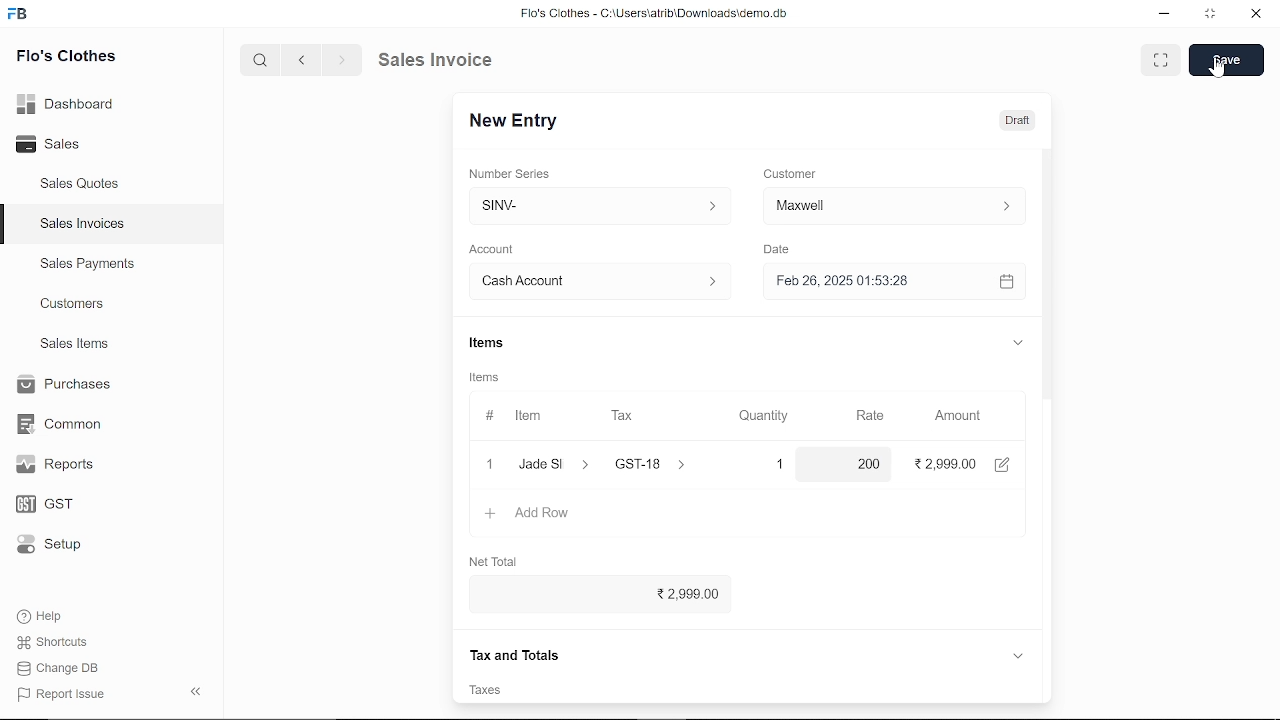 This screenshot has height=720, width=1280. Describe the element at coordinates (63, 643) in the screenshot. I see `Shortcuts` at that location.